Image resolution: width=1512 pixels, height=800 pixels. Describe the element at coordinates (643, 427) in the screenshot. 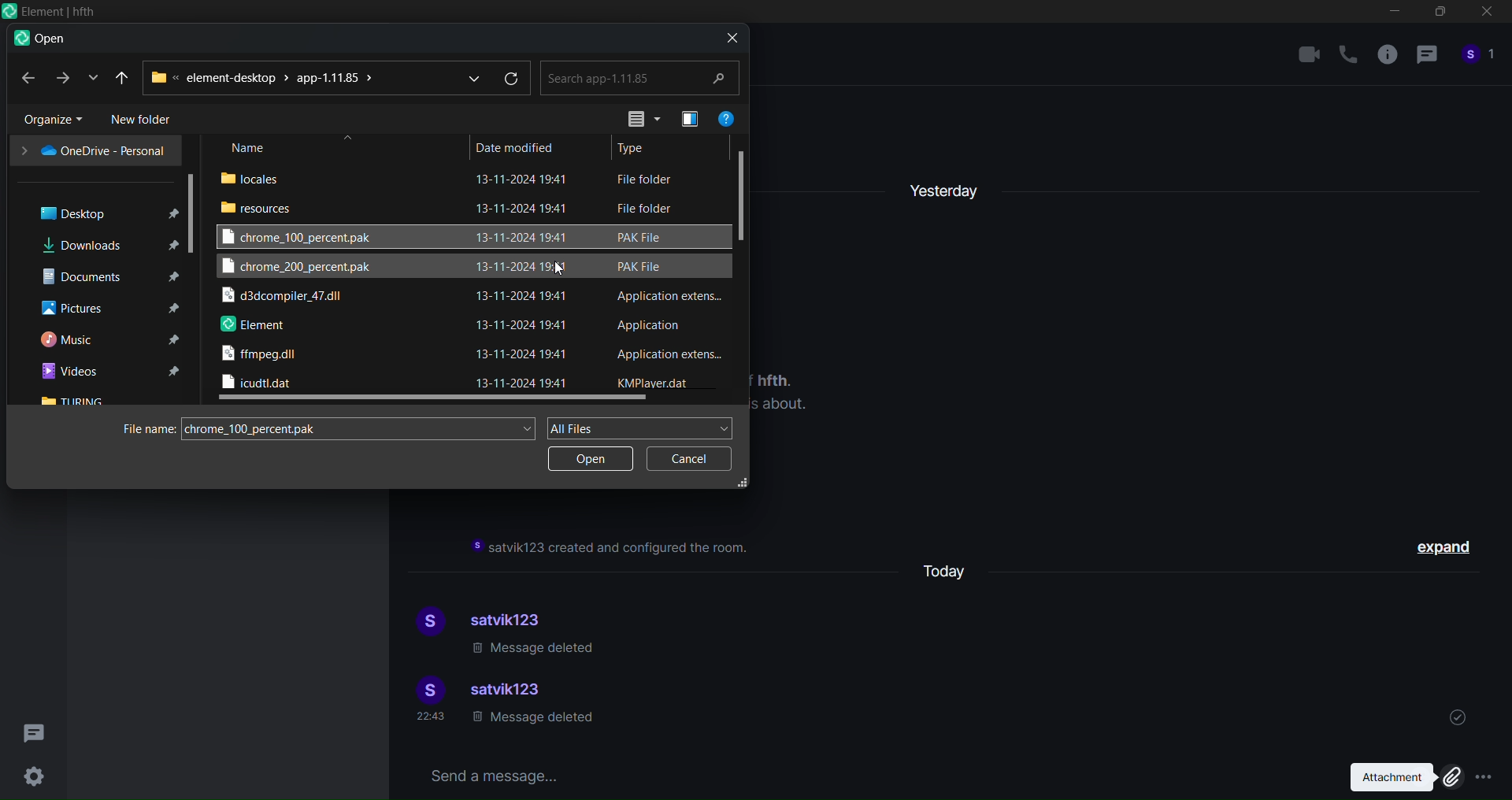

I see `all files` at that location.